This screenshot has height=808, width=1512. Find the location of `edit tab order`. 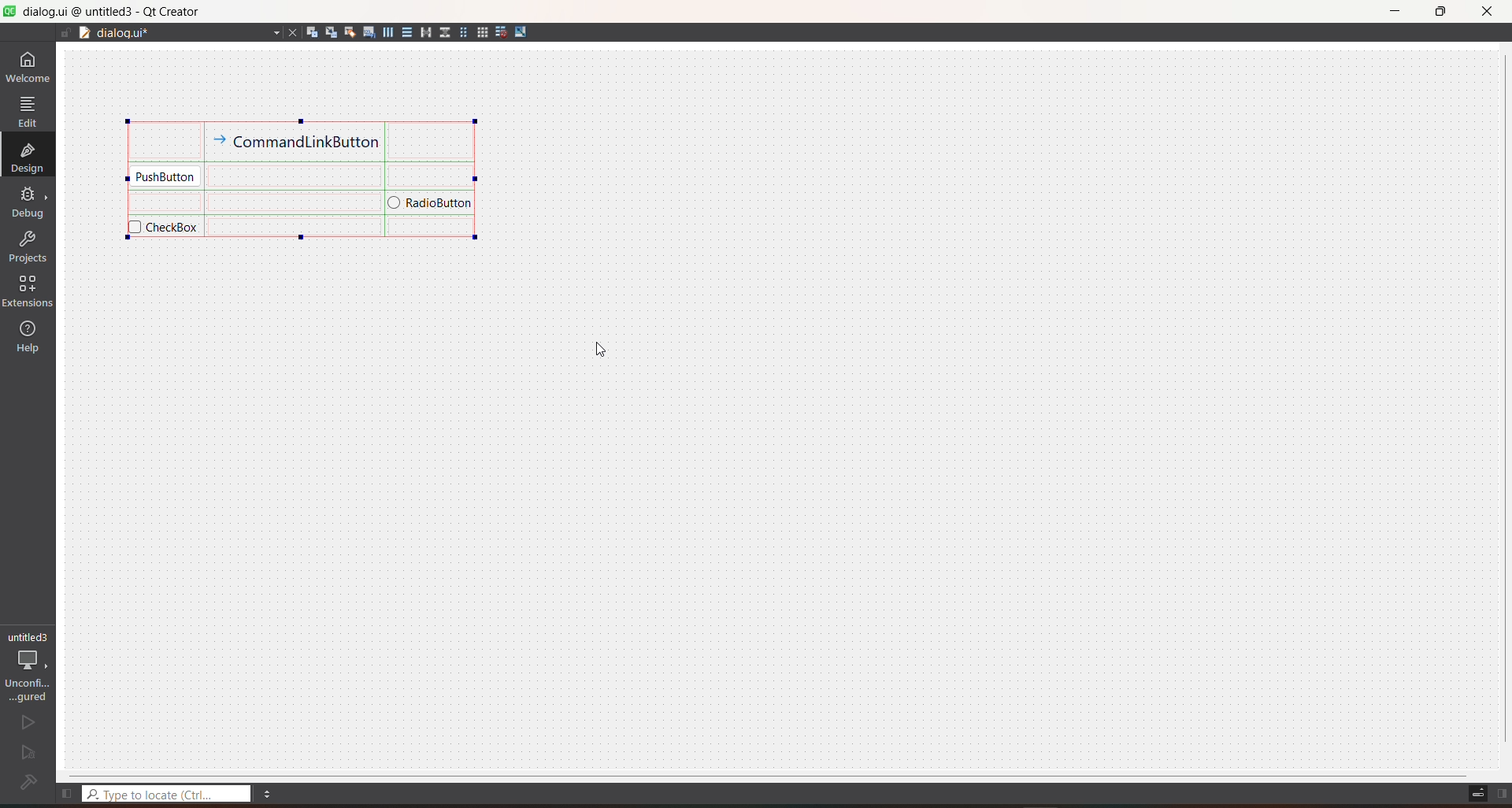

edit tab order is located at coordinates (369, 34).